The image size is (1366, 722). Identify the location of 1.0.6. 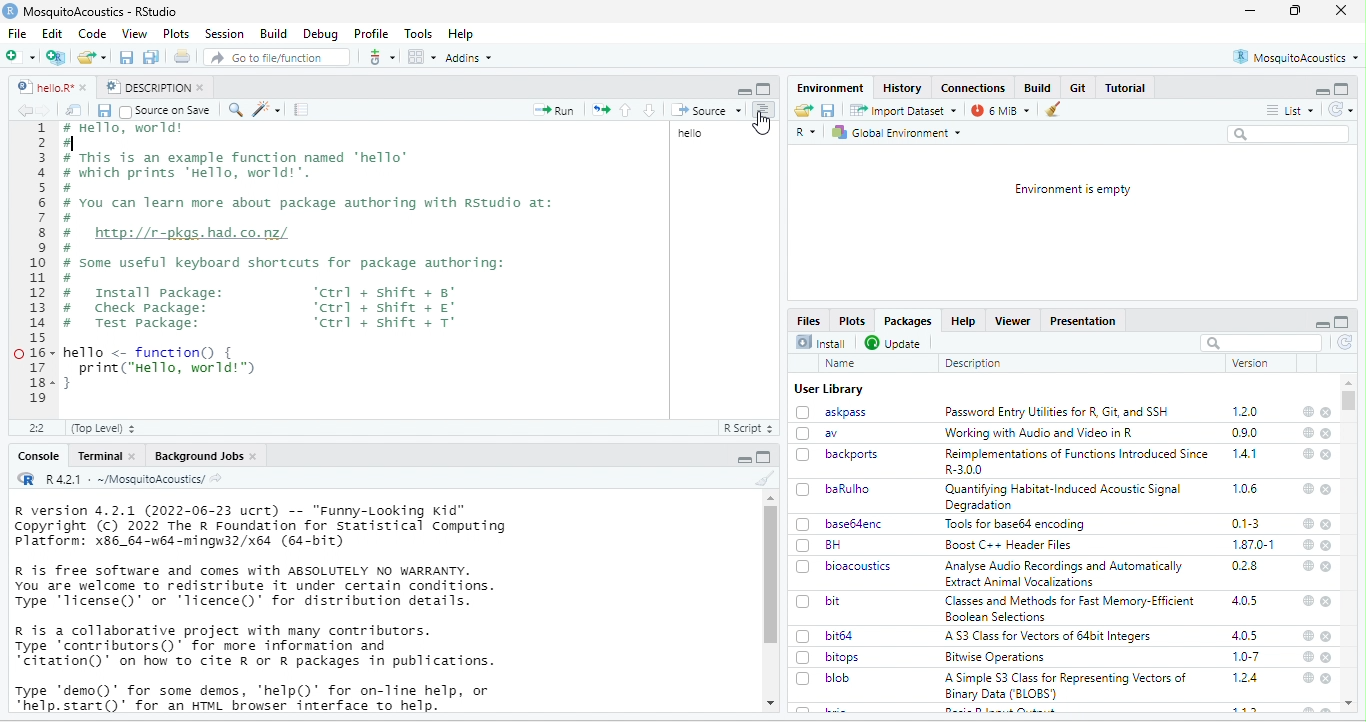
(1244, 488).